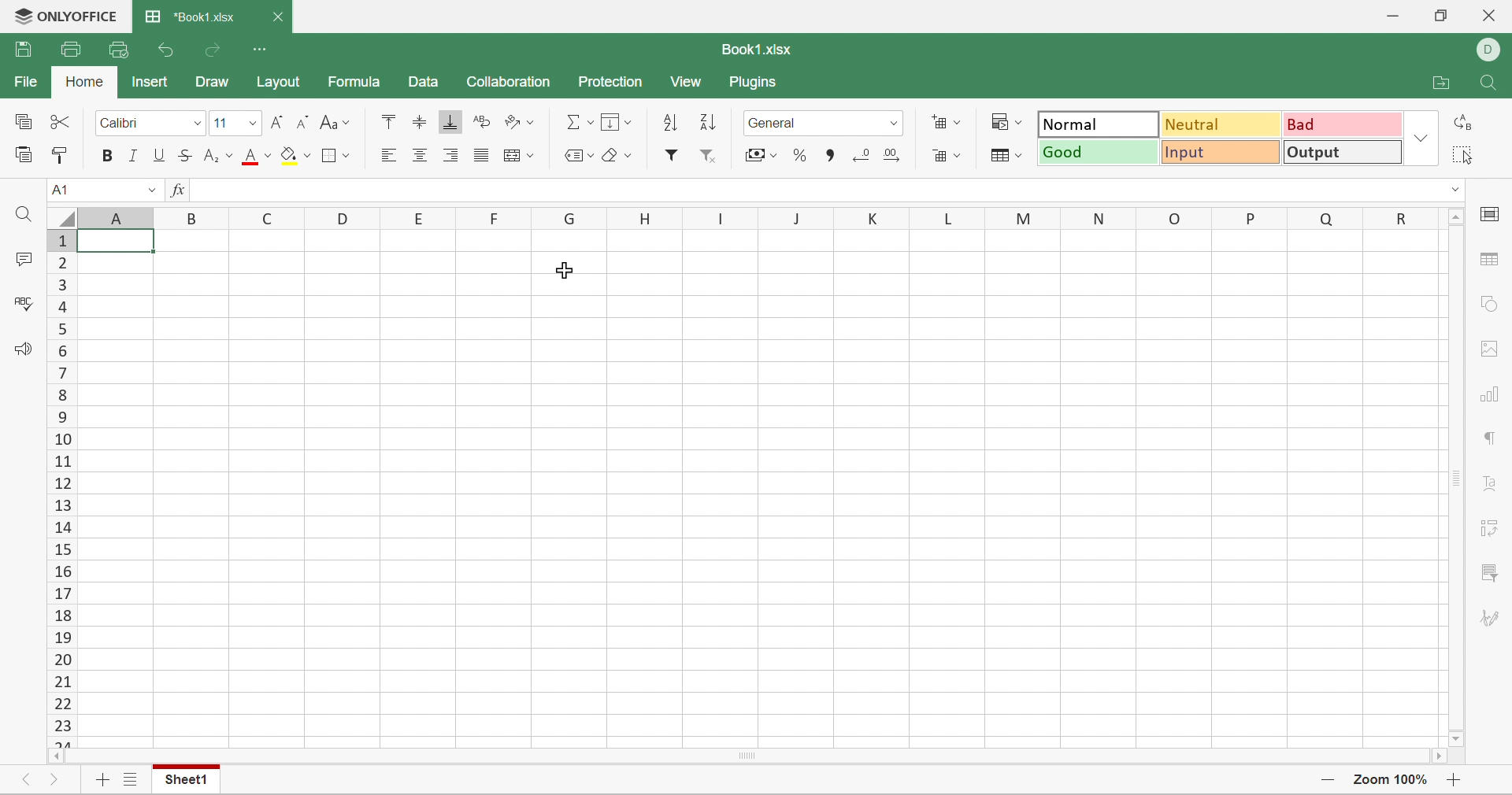 The width and height of the screenshot is (1512, 795). What do you see at coordinates (1456, 190) in the screenshot?
I see `Drop down` at bounding box center [1456, 190].